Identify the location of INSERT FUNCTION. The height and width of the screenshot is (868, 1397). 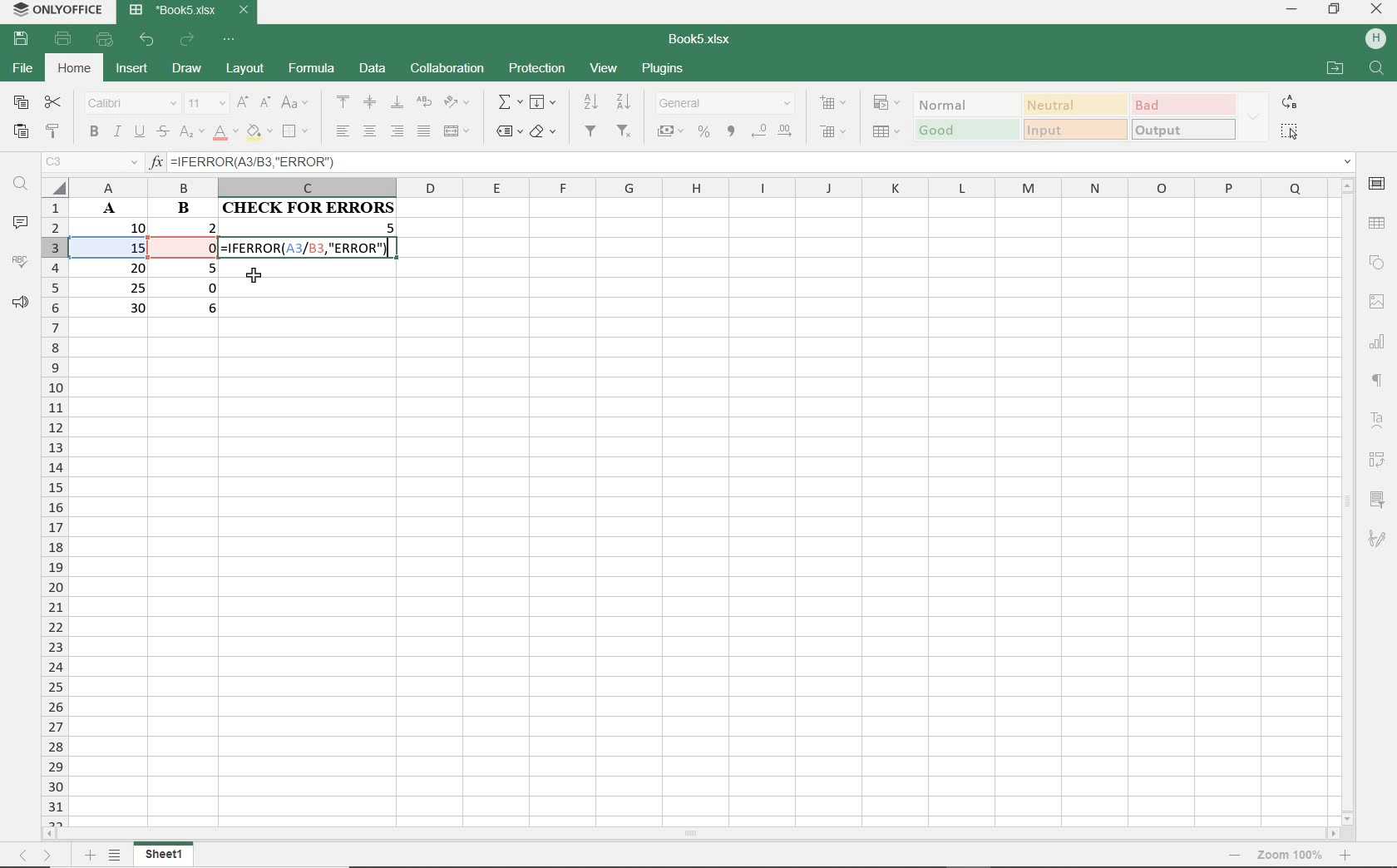
(509, 104).